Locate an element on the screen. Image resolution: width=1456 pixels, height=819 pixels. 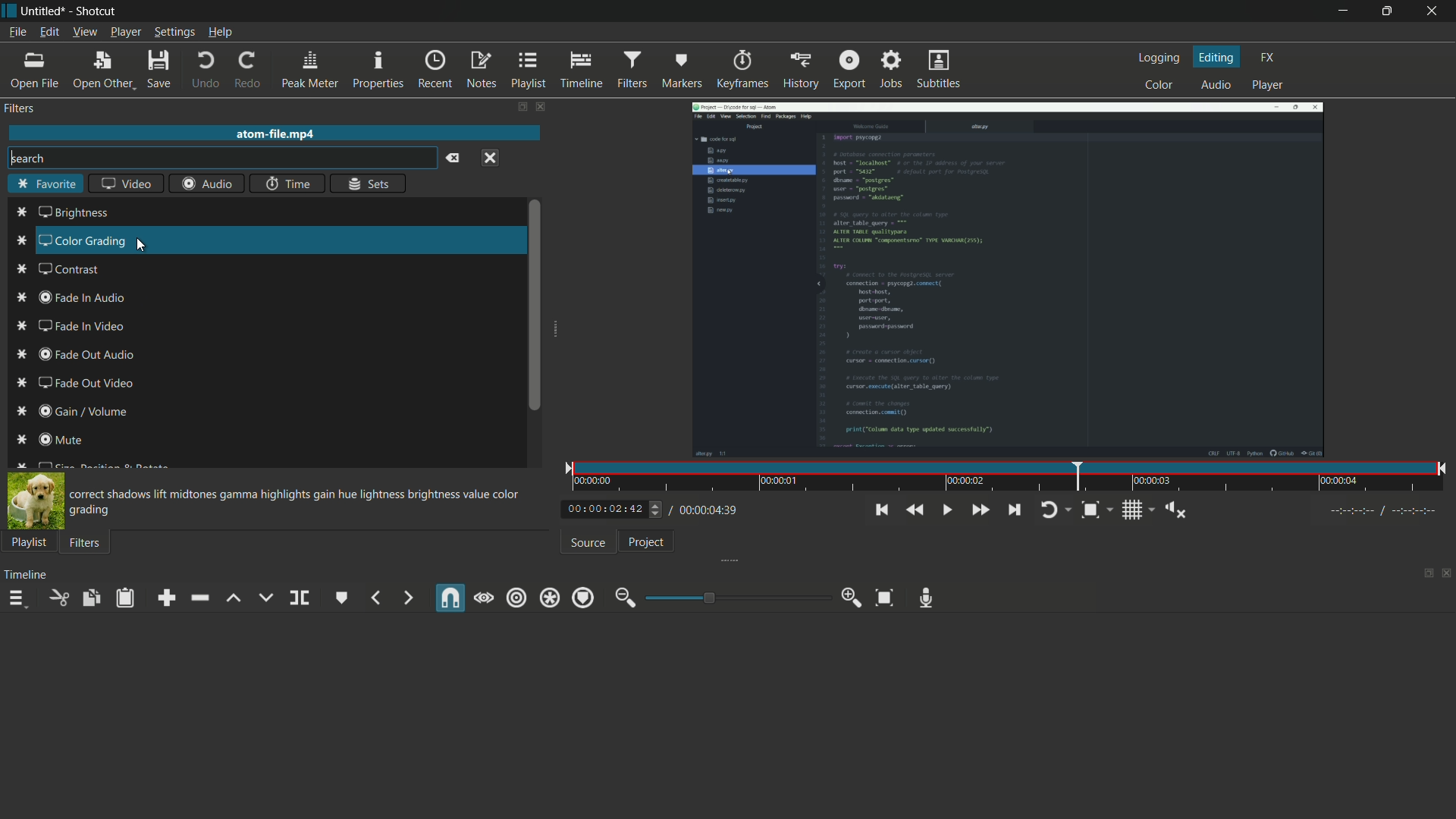
minimize is located at coordinates (1338, 12).